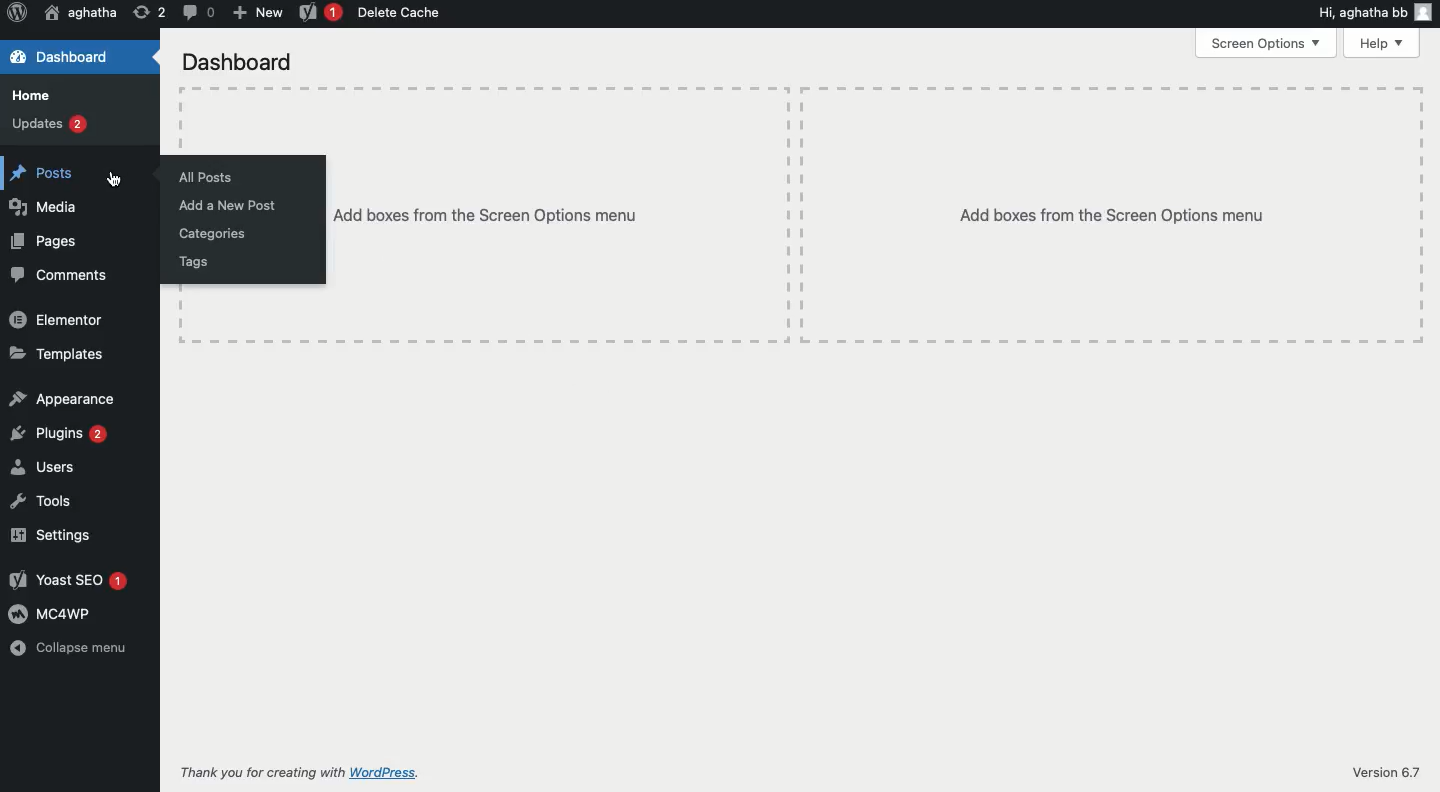  What do you see at coordinates (115, 180) in the screenshot?
I see `Cursor` at bounding box center [115, 180].